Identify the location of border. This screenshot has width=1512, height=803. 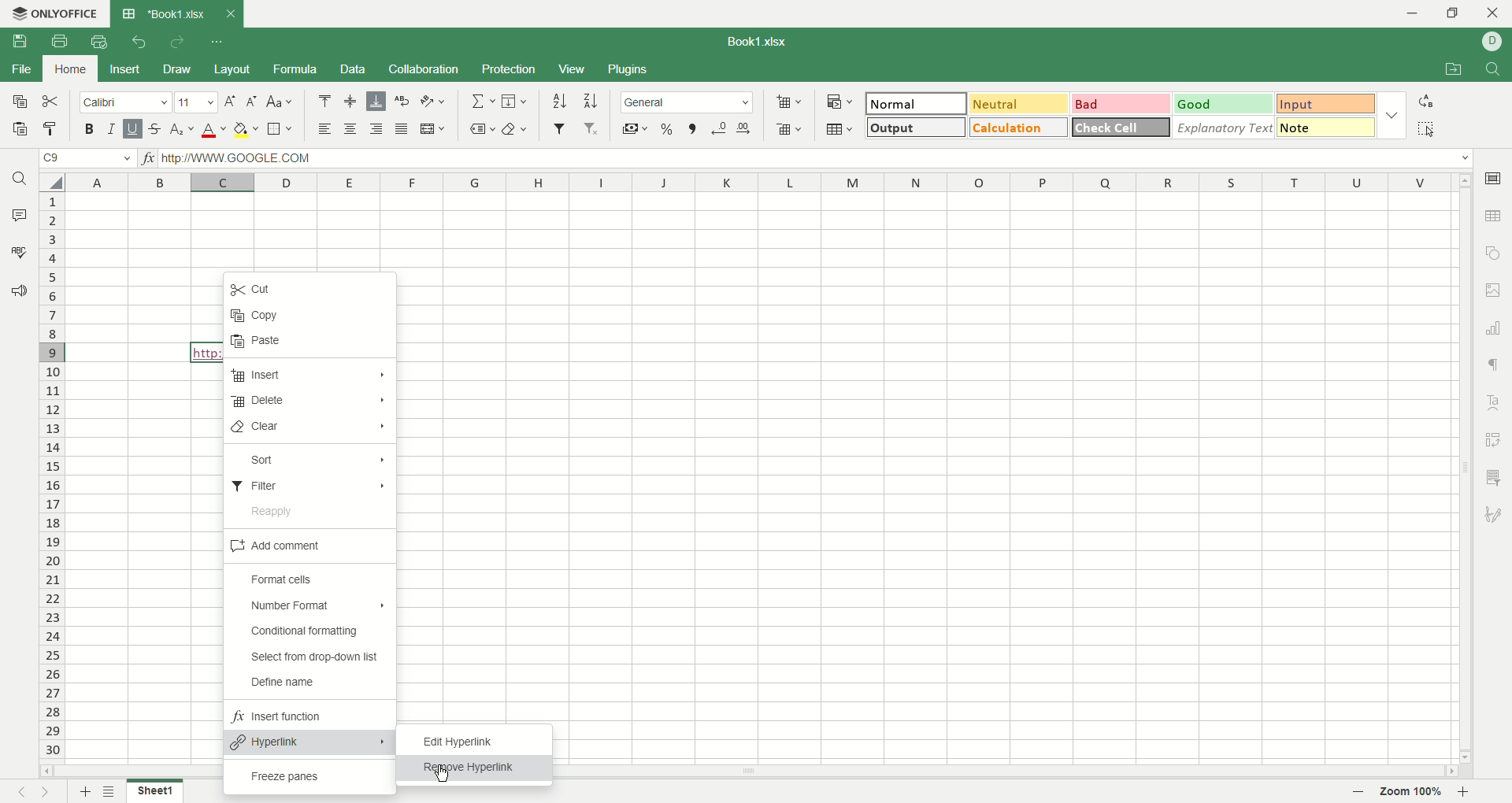
(278, 130).